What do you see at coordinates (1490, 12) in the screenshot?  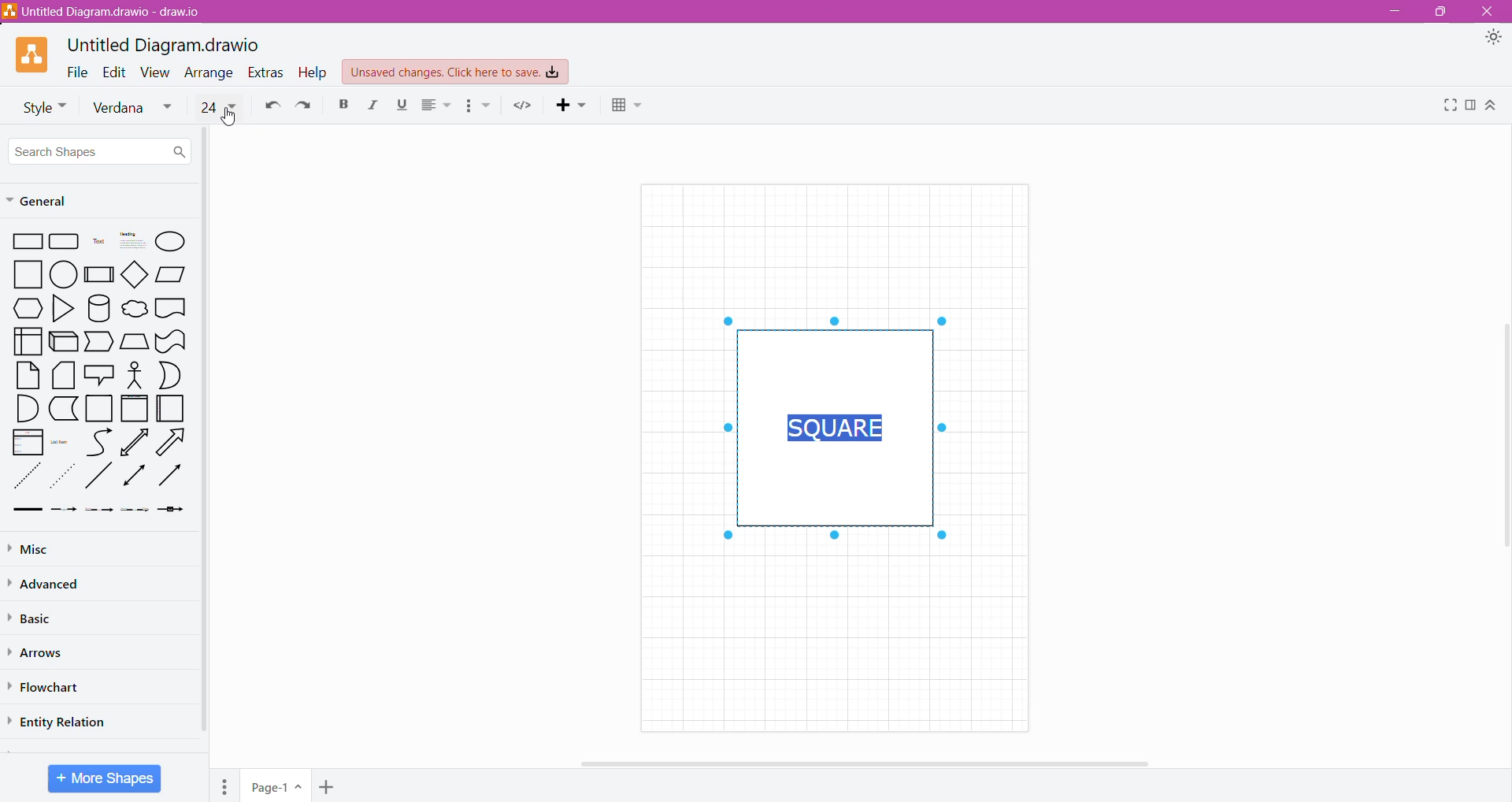 I see `Close` at bounding box center [1490, 12].